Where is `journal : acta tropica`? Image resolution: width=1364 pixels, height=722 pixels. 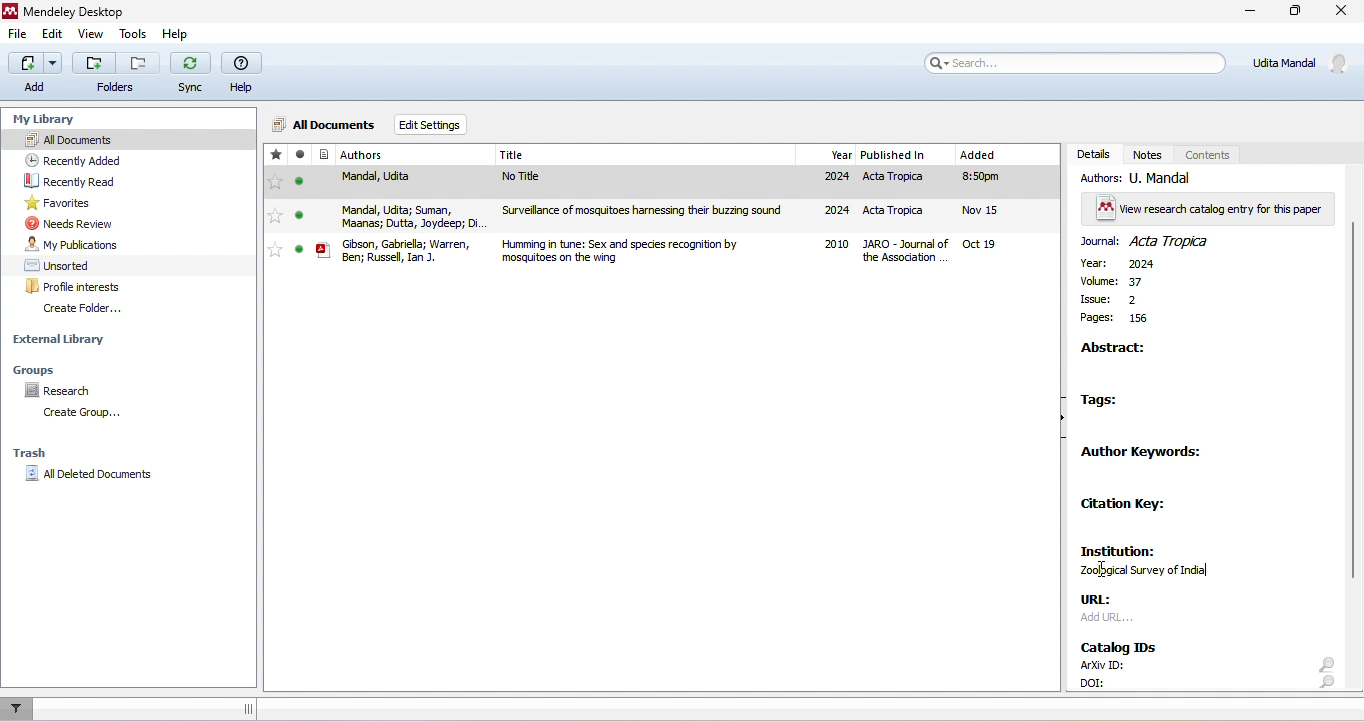
journal : acta tropica is located at coordinates (1158, 241).